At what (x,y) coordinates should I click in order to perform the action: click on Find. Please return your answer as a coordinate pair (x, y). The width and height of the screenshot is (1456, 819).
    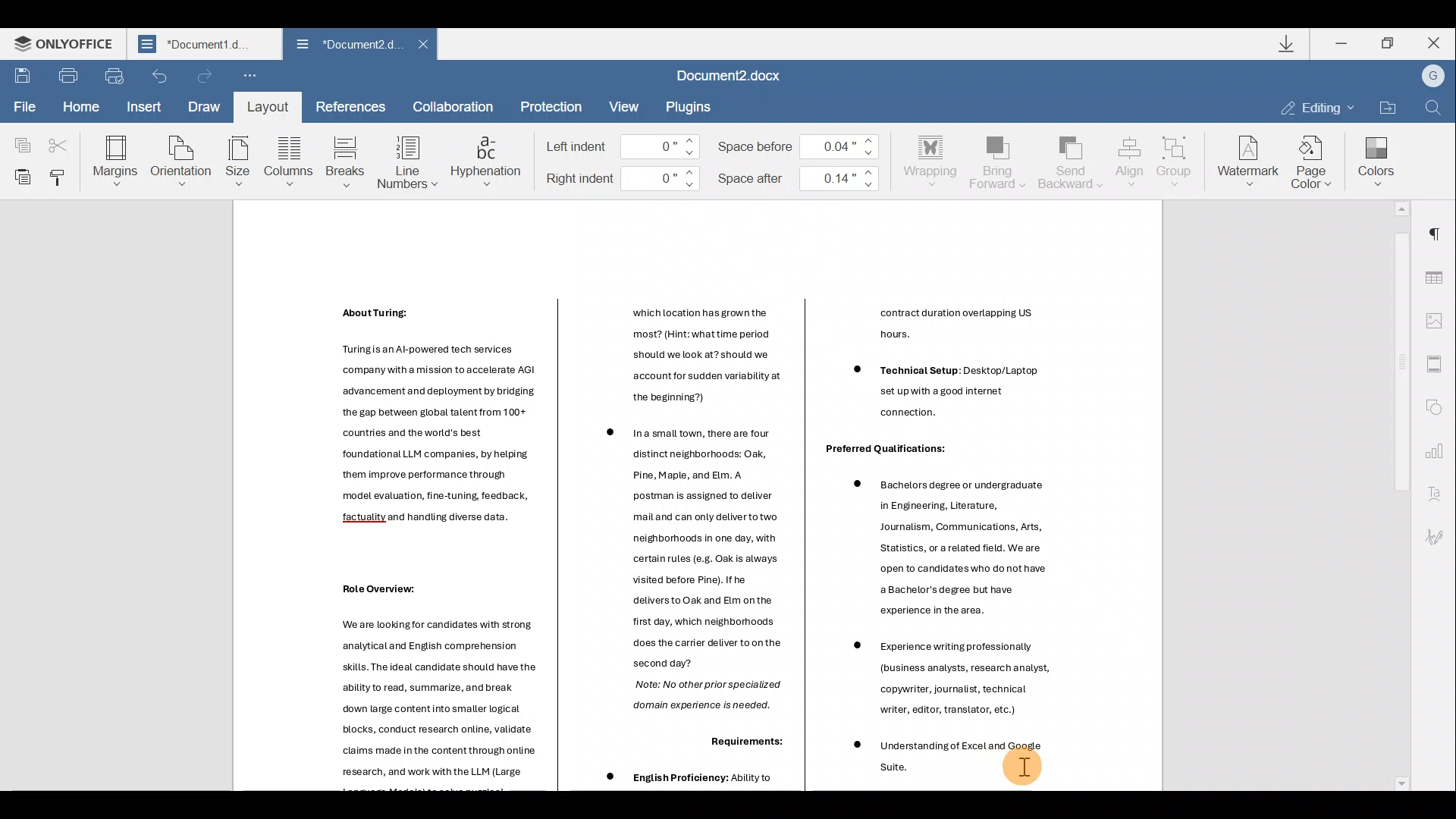
    Looking at the image, I should click on (1434, 108).